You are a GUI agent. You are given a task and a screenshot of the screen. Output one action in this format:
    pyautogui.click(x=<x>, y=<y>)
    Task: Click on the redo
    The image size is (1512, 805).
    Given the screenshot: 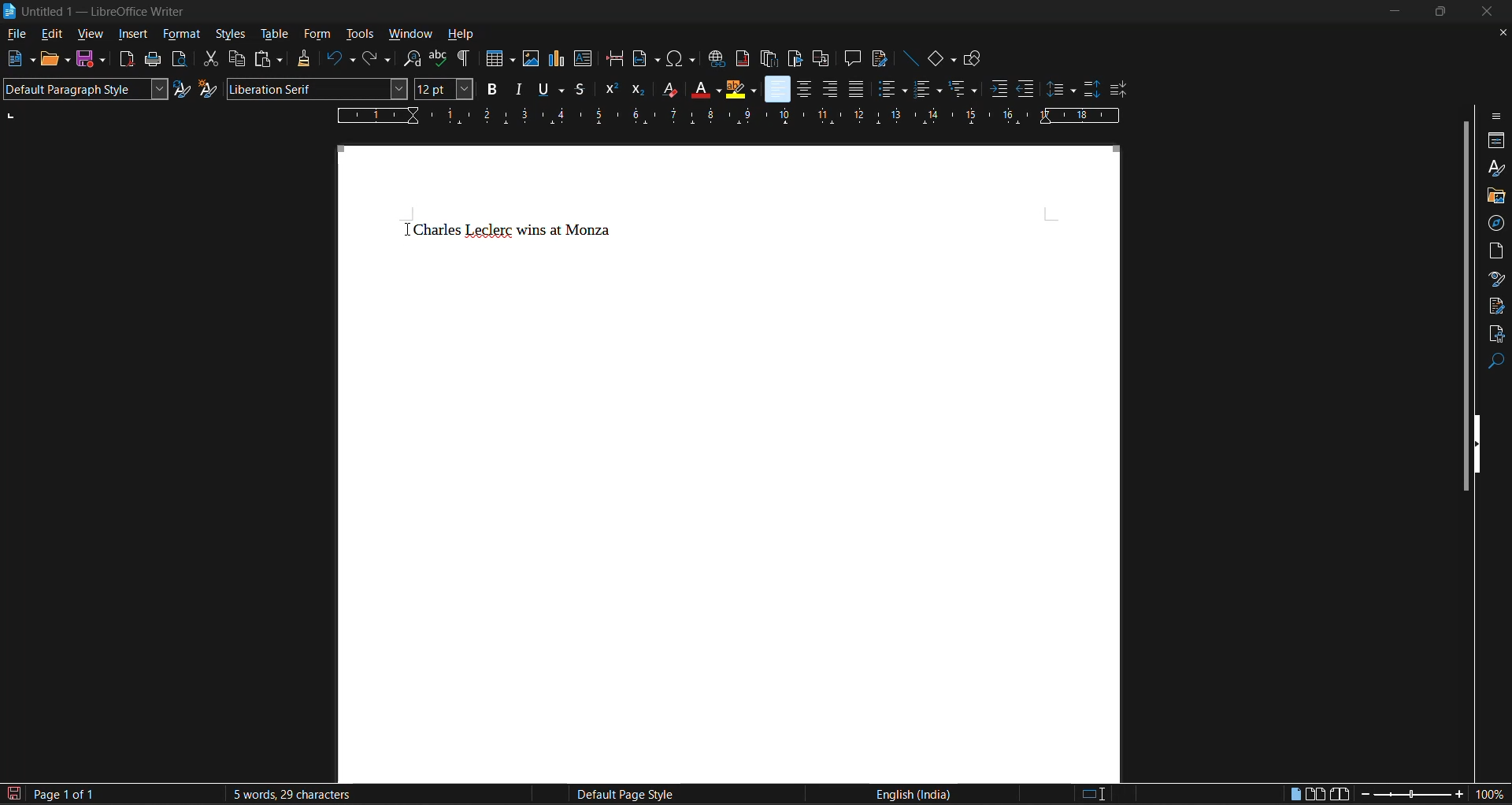 What is the action you would take?
    pyautogui.click(x=380, y=58)
    